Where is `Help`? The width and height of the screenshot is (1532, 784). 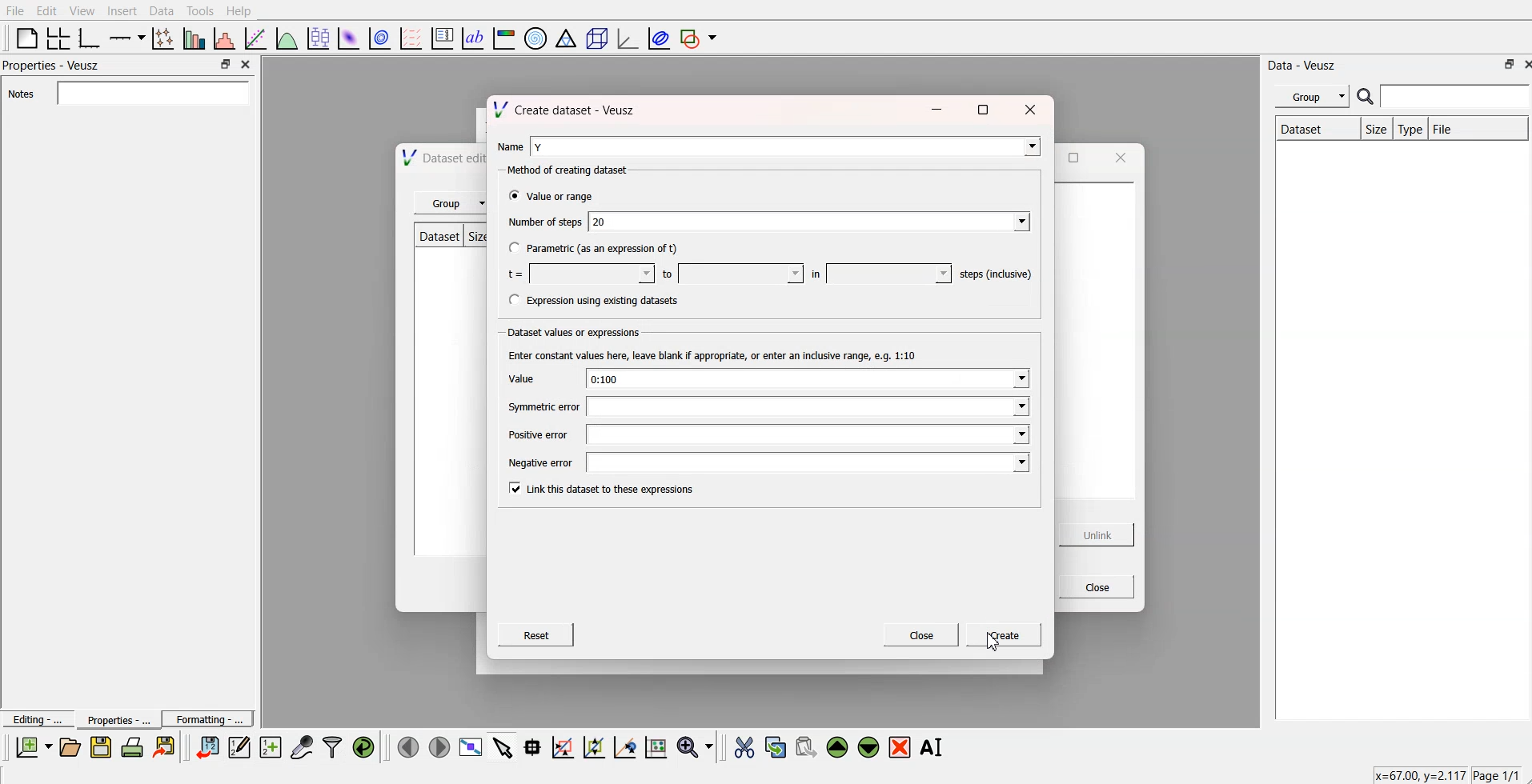 Help is located at coordinates (243, 10).